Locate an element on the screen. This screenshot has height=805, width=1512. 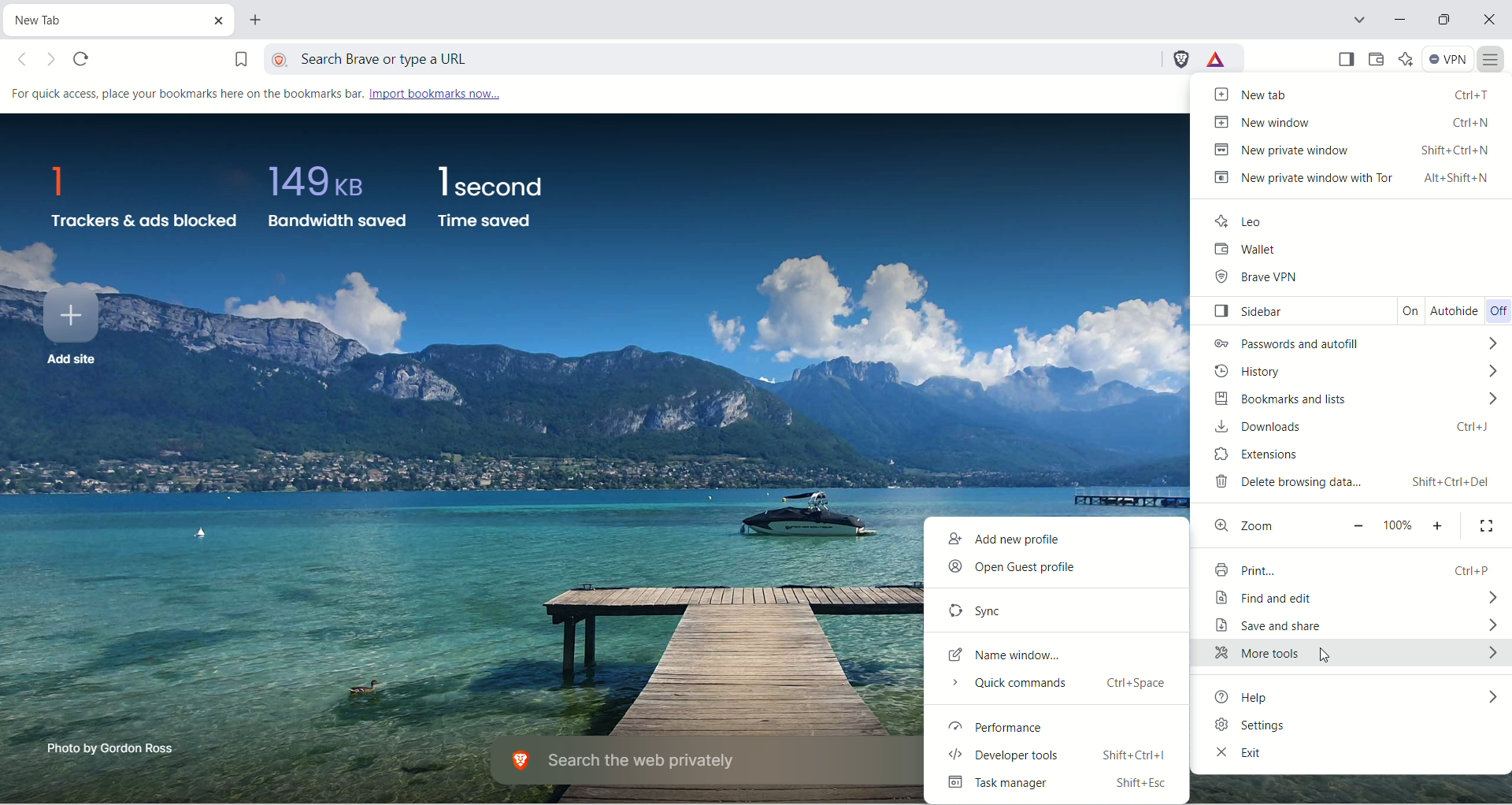
performance is located at coordinates (1062, 726).